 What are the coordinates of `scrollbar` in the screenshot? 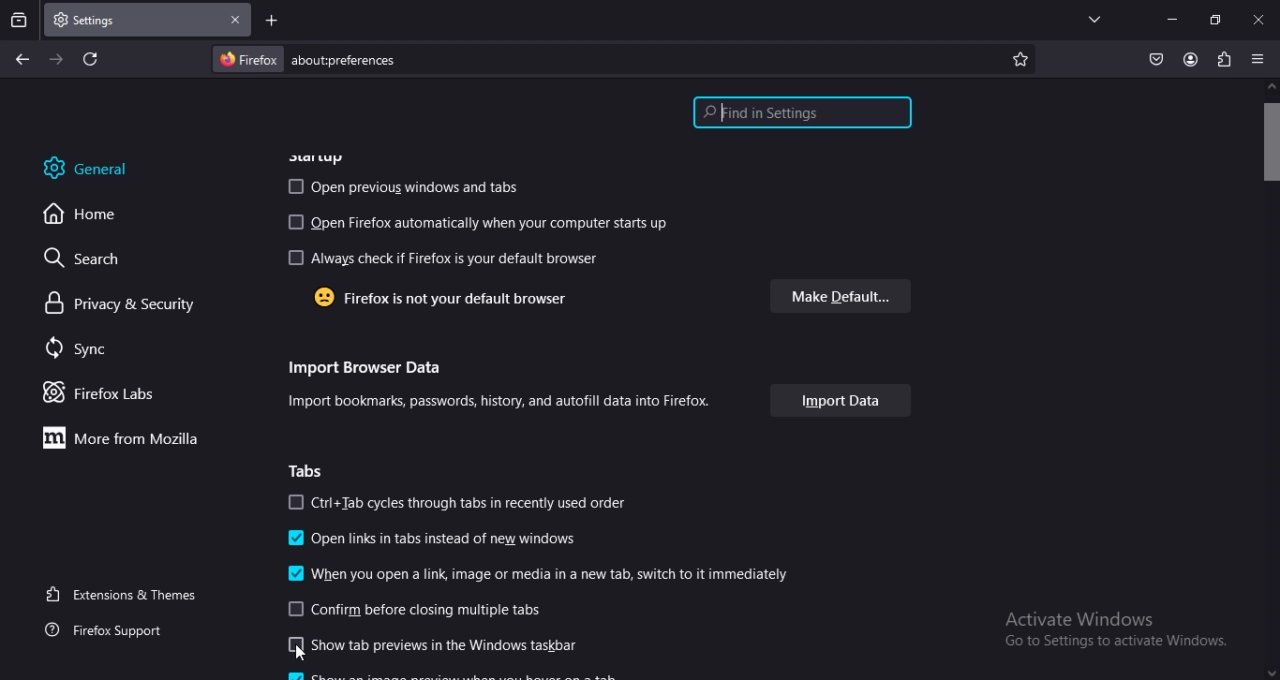 It's located at (1271, 382).